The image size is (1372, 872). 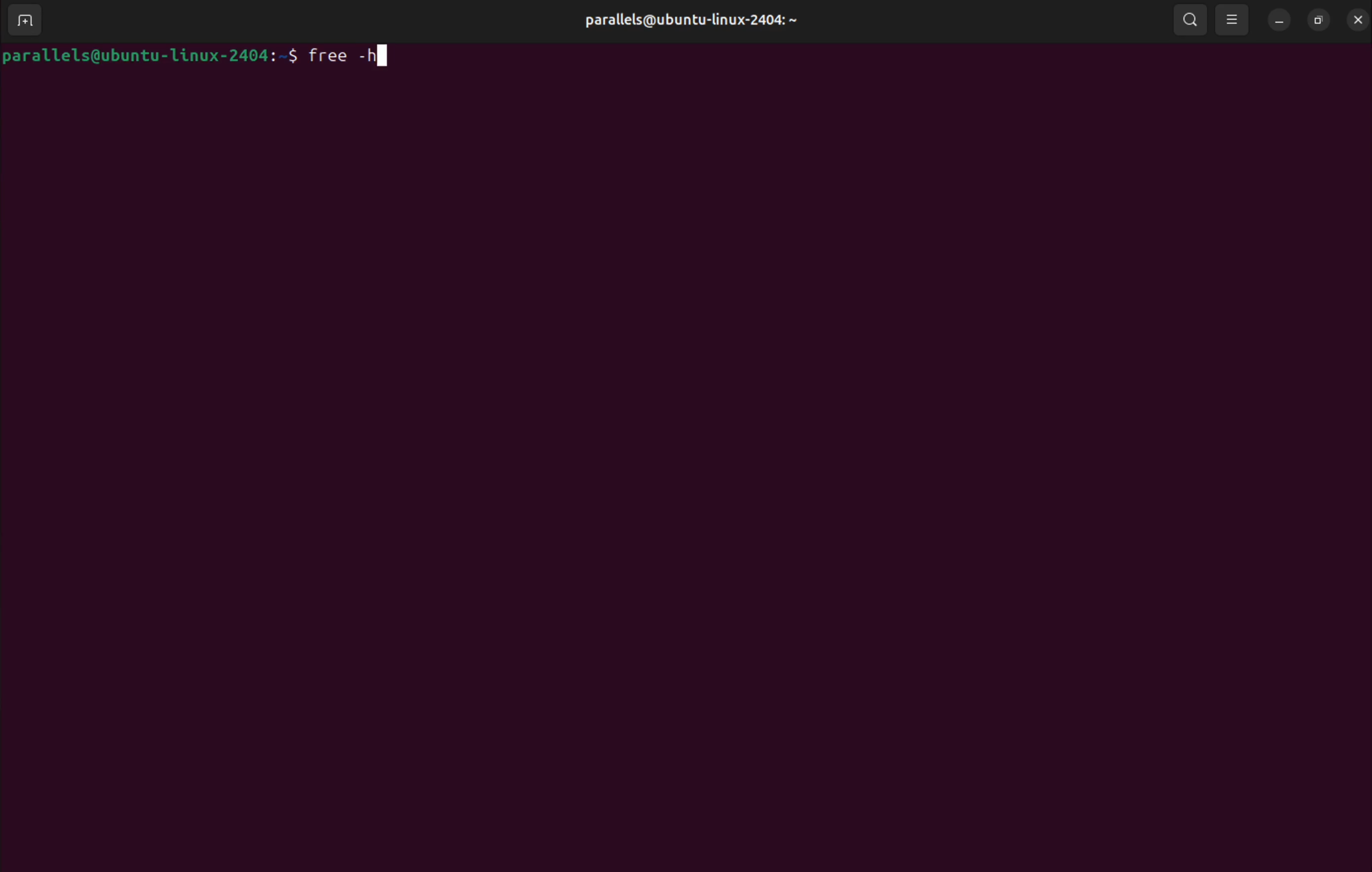 What do you see at coordinates (151, 57) in the screenshot?
I see `parallels@ubuntu-linux-2404:~$` at bounding box center [151, 57].